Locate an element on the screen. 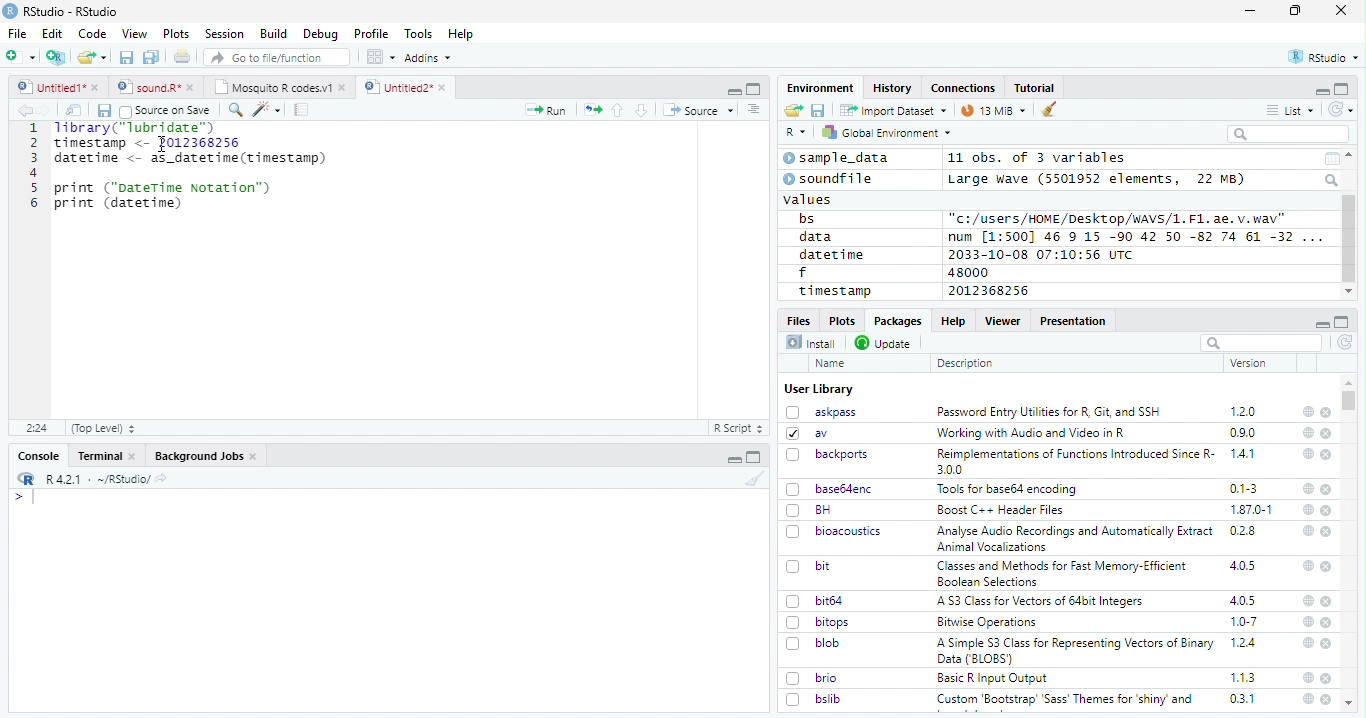 Image resolution: width=1366 pixels, height=718 pixels. Create a project is located at coordinates (56, 57).